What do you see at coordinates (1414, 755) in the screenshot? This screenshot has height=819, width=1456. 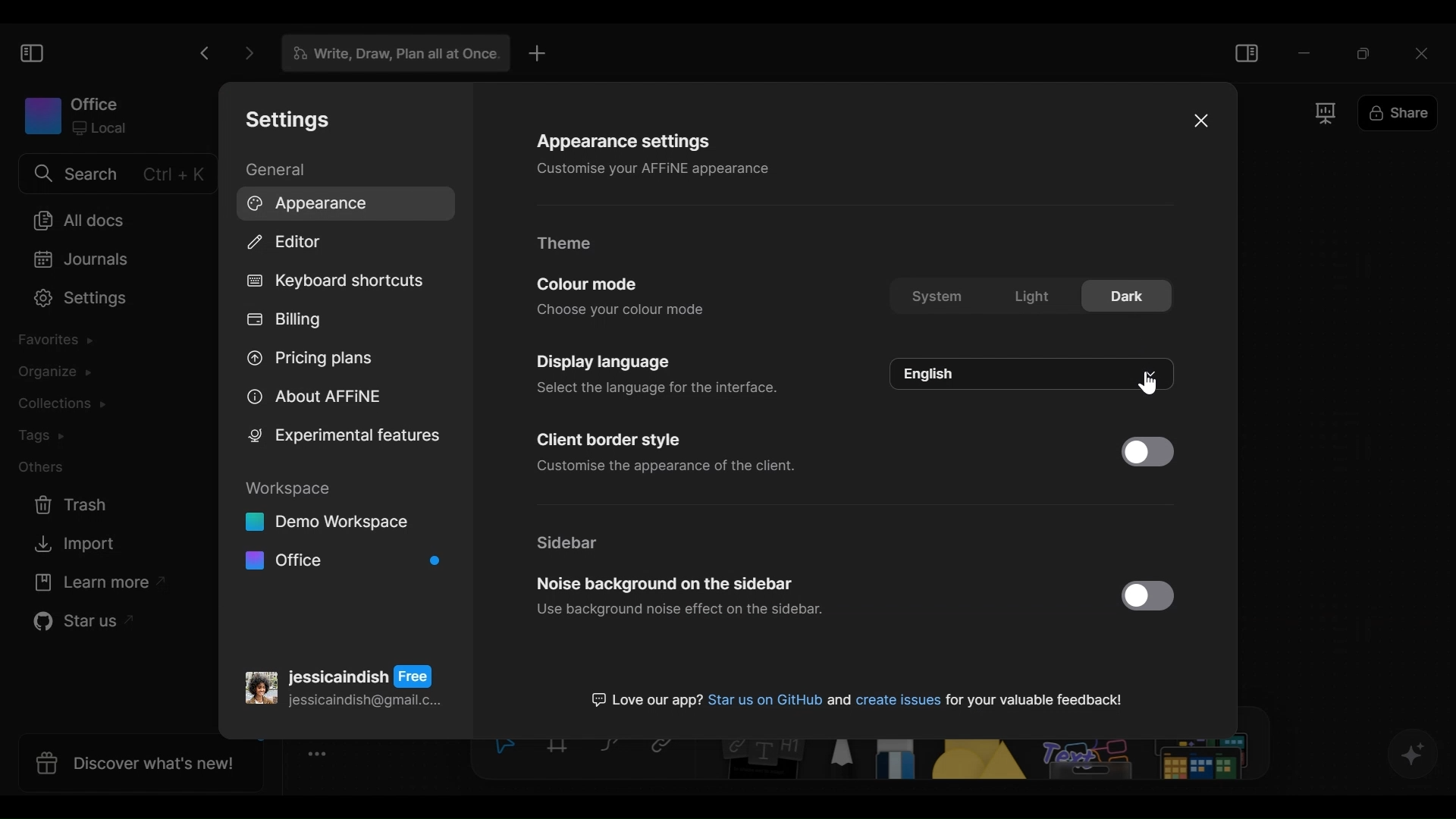 I see `AFFiNE AI` at bounding box center [1414, 755].